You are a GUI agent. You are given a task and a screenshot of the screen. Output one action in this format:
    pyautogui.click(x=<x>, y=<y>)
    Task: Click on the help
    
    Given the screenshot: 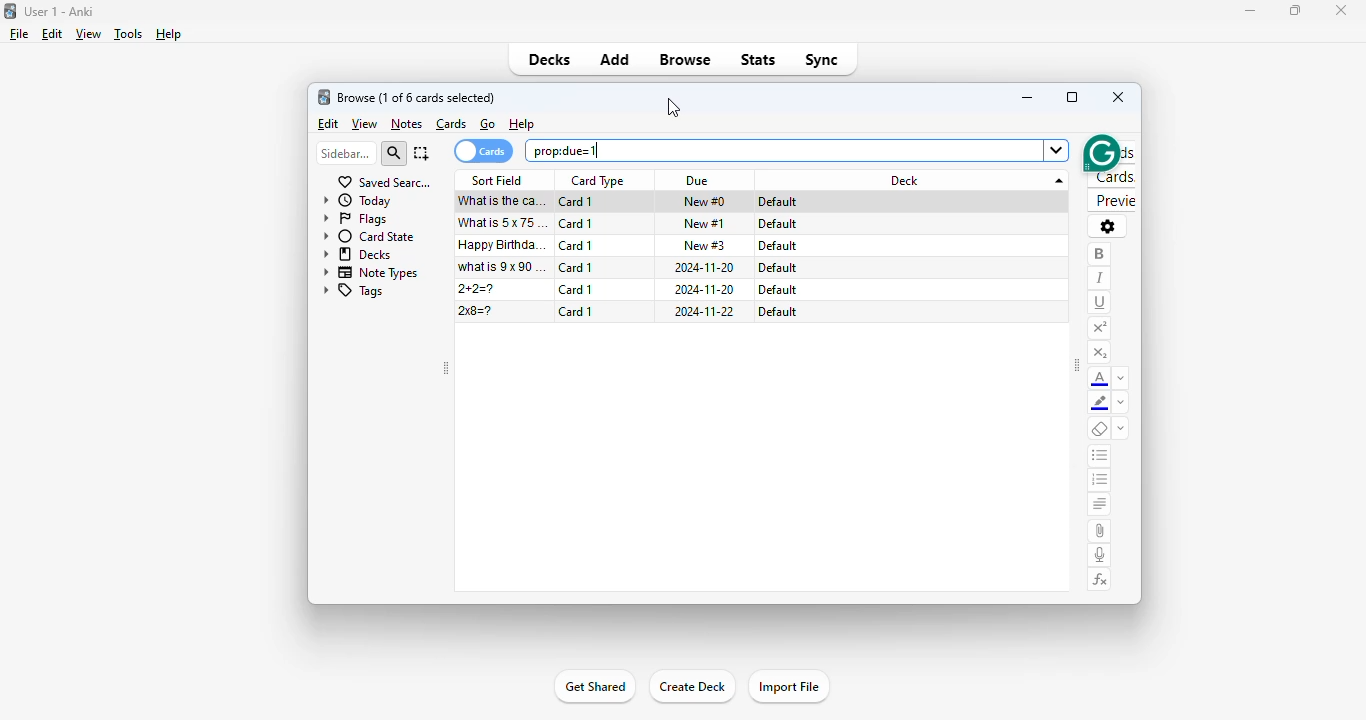 What is the action you would take?
    pyautogui.click(x=522, y=123)
    